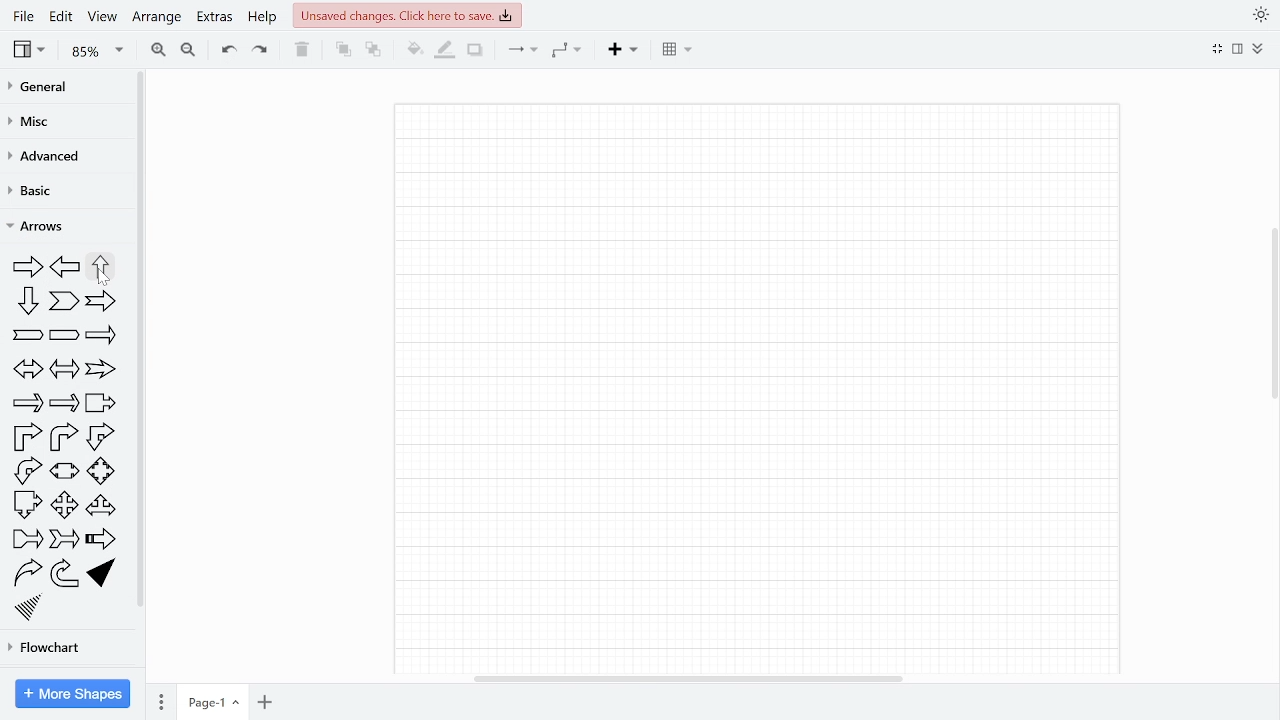  Describe the element at coordinates (406, 16) in the screenshot. I see `Unsaved changes. Click here to save` at that location.